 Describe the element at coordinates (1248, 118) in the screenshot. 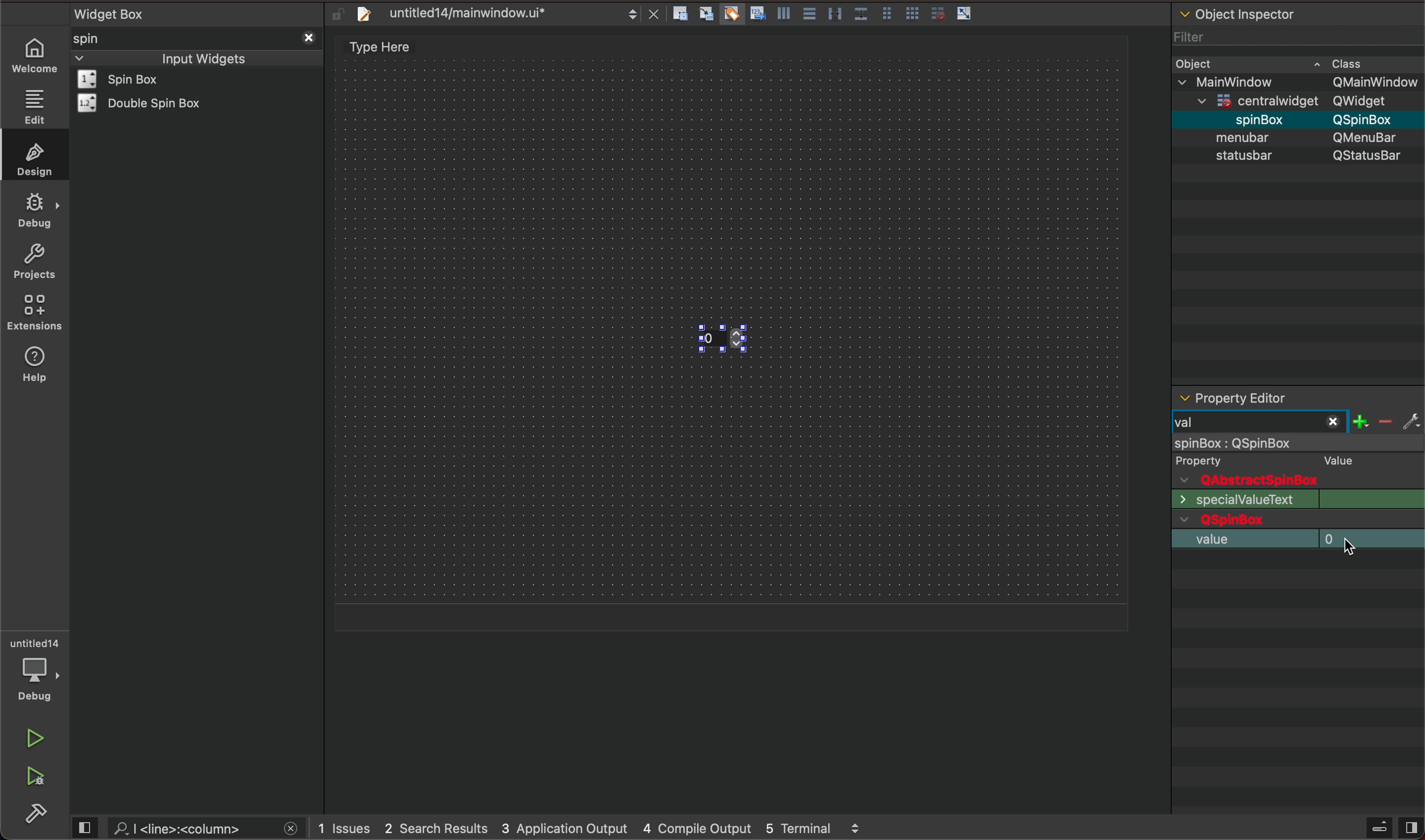

I see `` at that location.